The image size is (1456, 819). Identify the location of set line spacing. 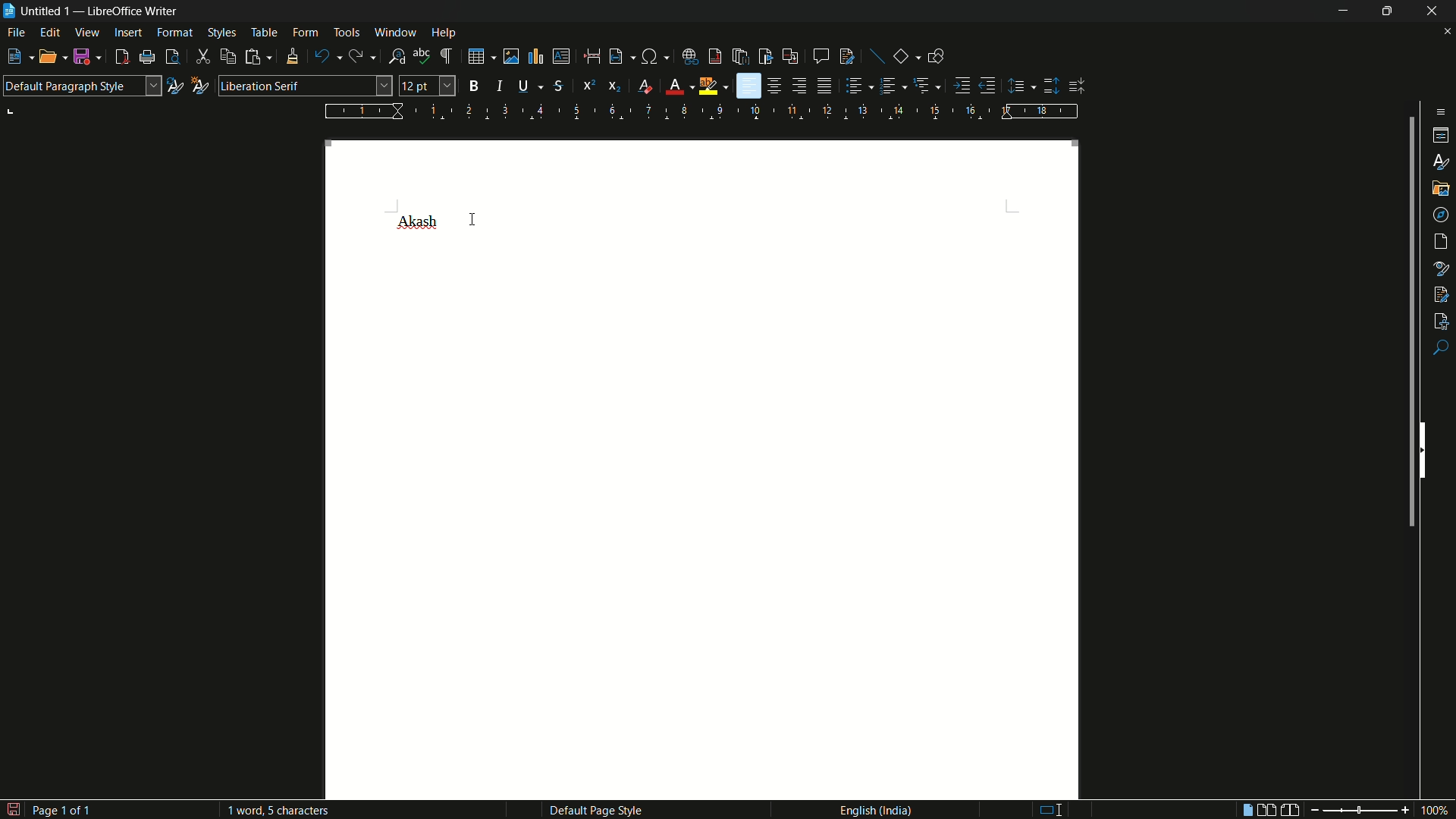
(1018, 86).